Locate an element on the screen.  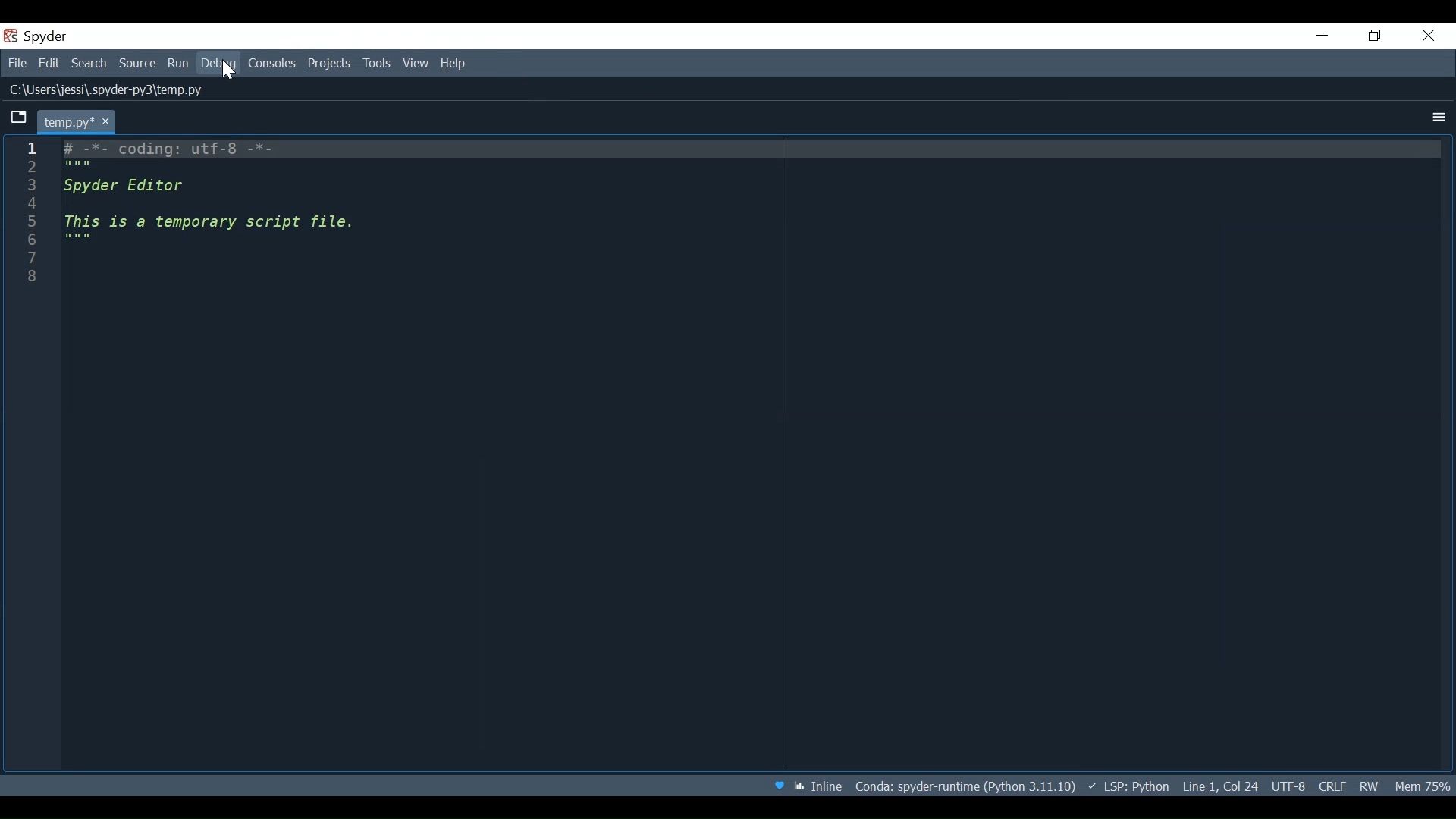
File EQL Status is located at coordinates (1334, 786).